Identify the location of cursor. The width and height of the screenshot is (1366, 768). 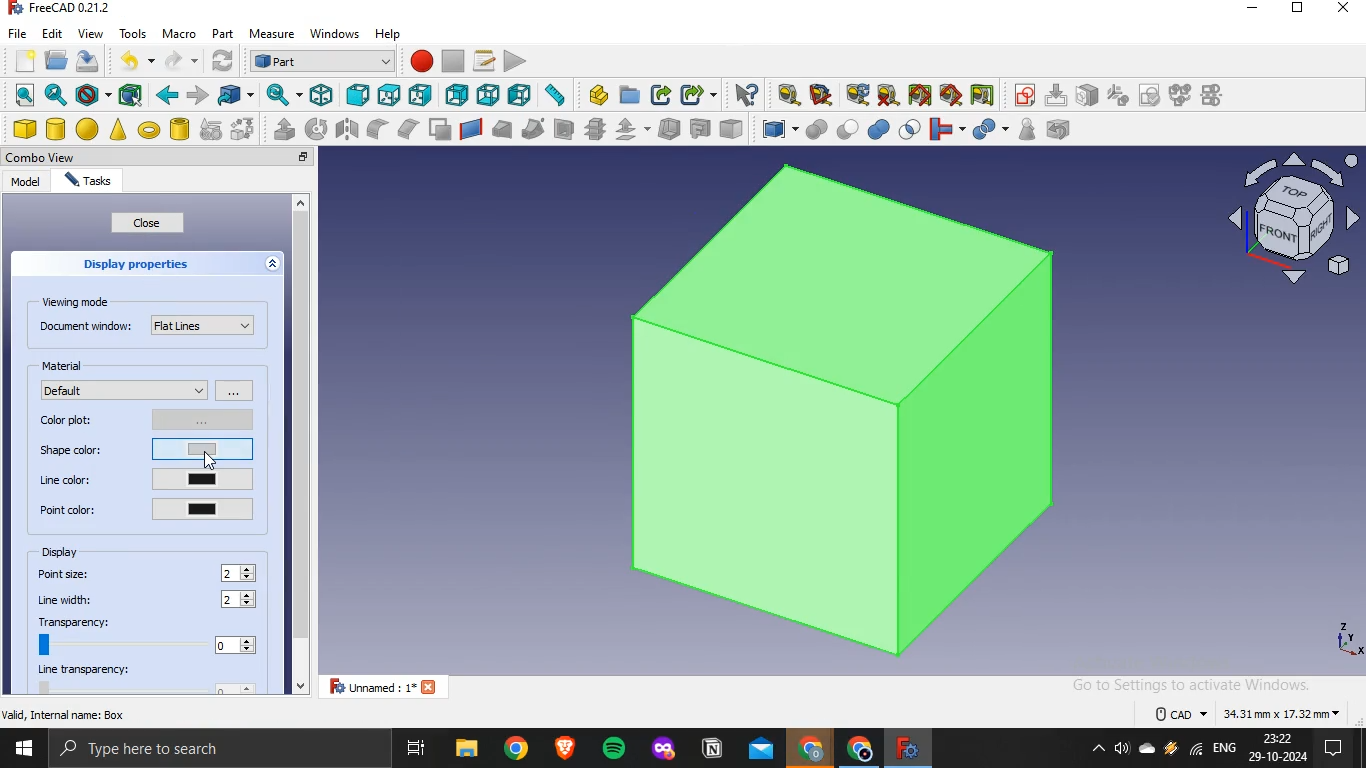
(213, 460).